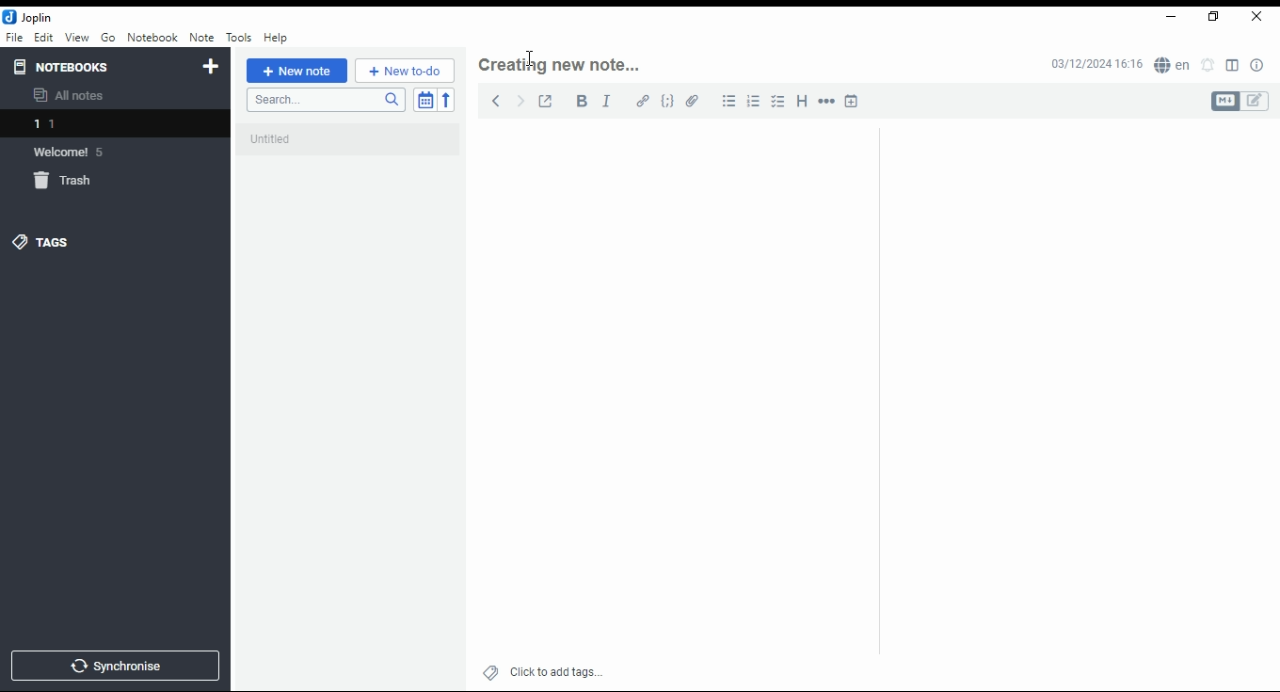 This screenshot has width=1280, height=692. Describe the element at coordinates (211, 67) in the screenshot. I see `new notebook` at that location.